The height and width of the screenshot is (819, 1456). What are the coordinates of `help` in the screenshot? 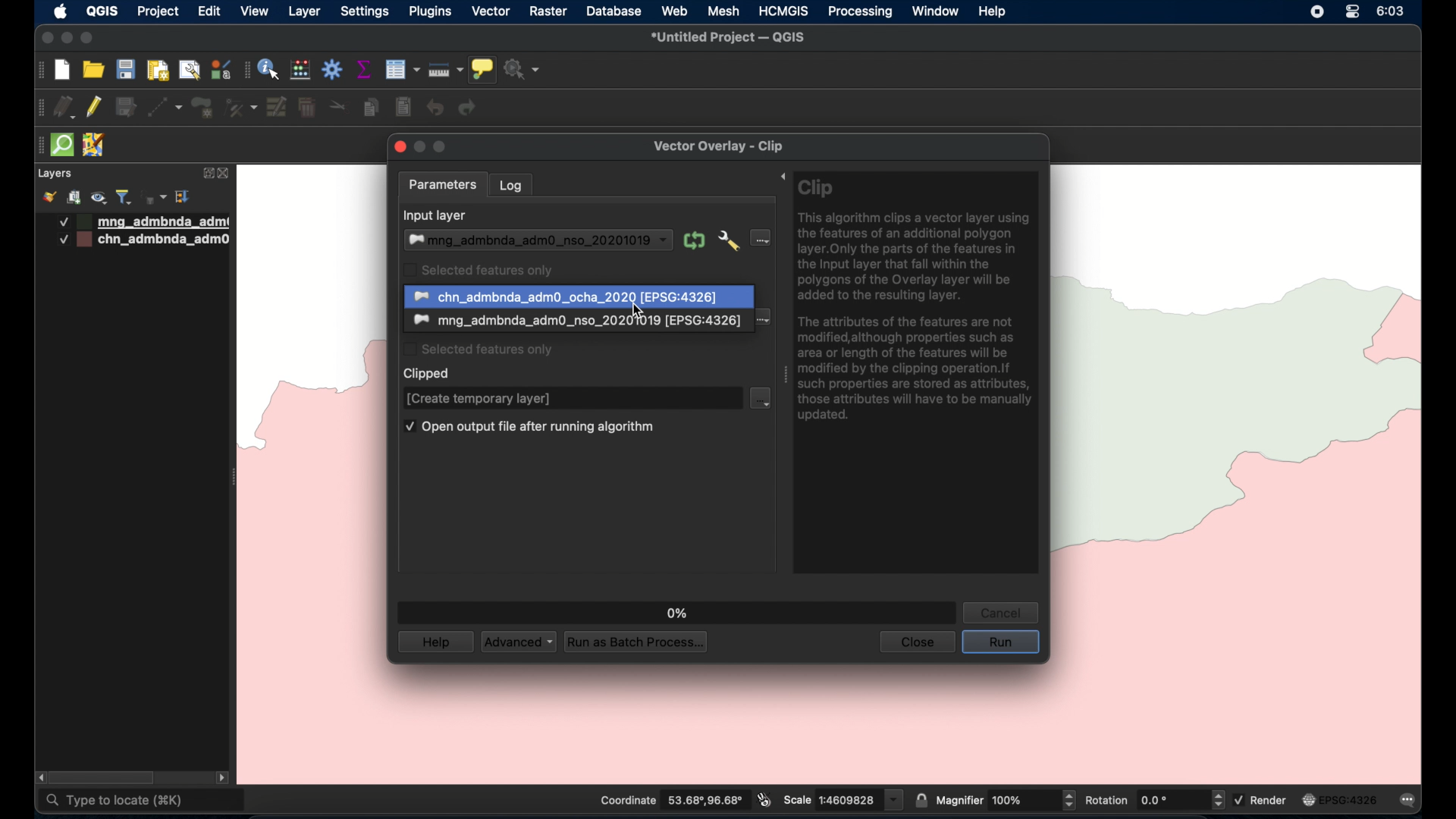 It's located at (993, 12).